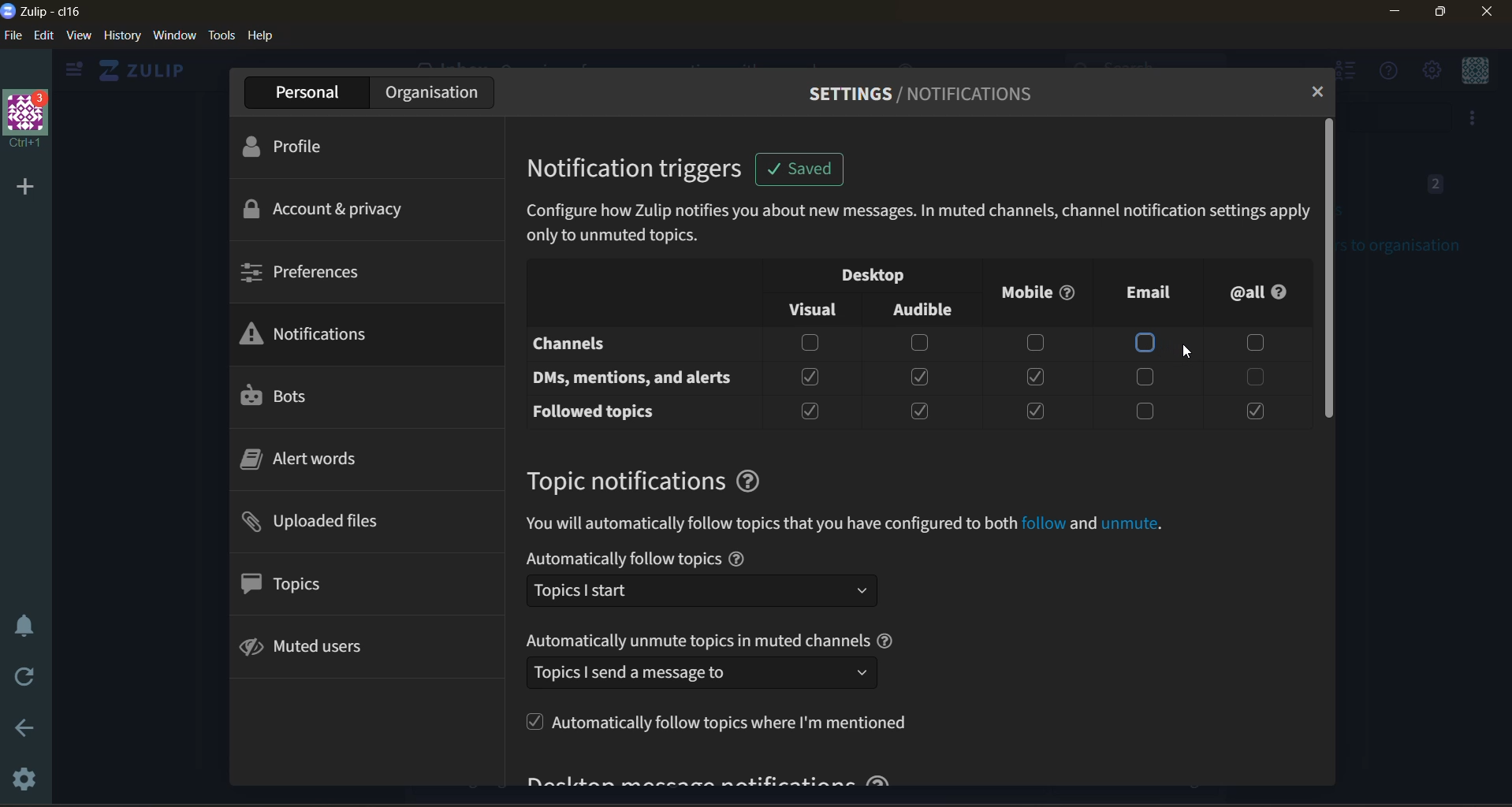 This screenshot has width=1512, height=807. I want to click on checkbox, so click(1033, 411).